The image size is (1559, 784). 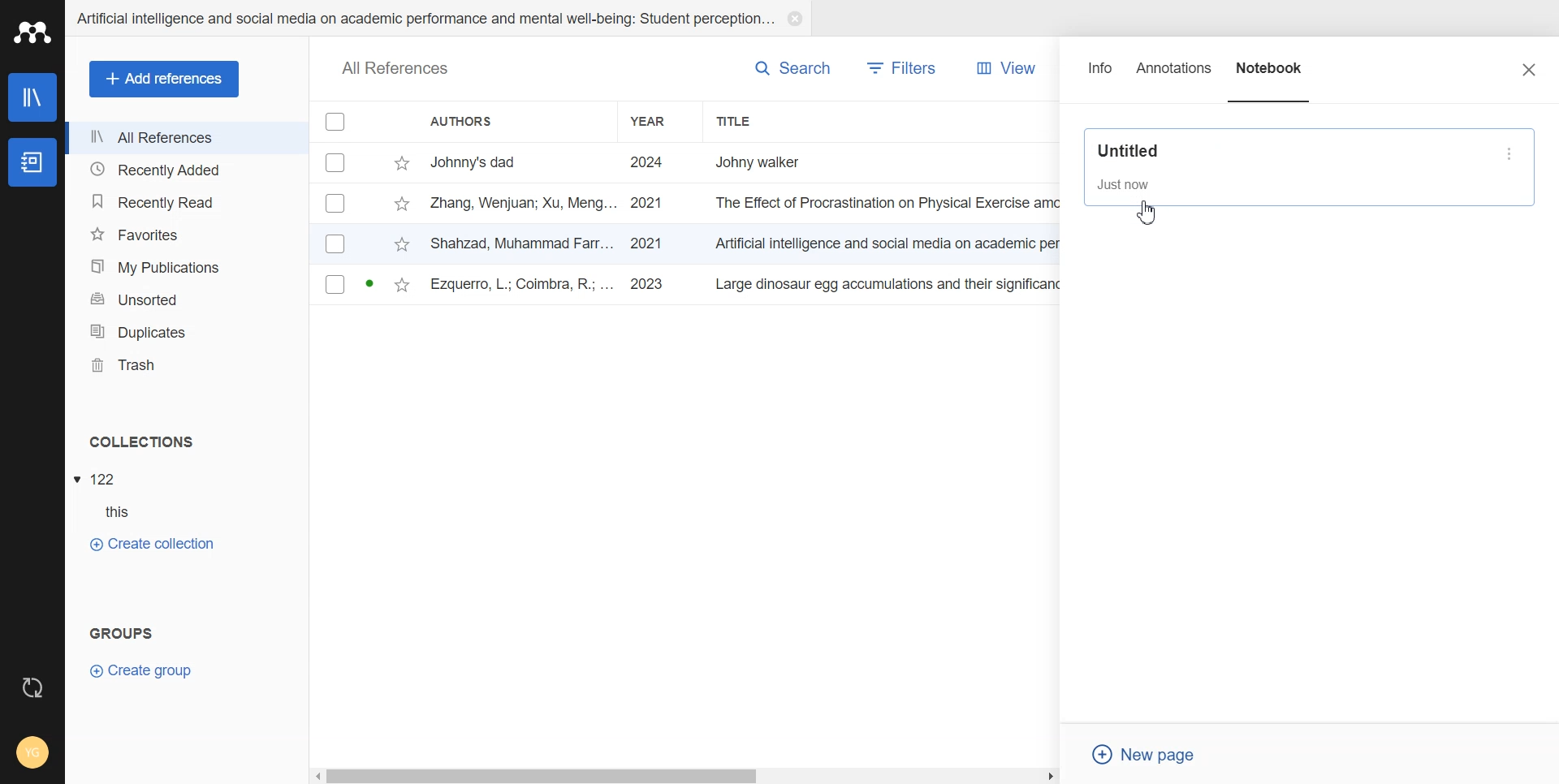 What do you see at coordinates (524, 243) in the screenshot?
I see `shahzad, muhammad farr...` at bounding box center [524, 243].